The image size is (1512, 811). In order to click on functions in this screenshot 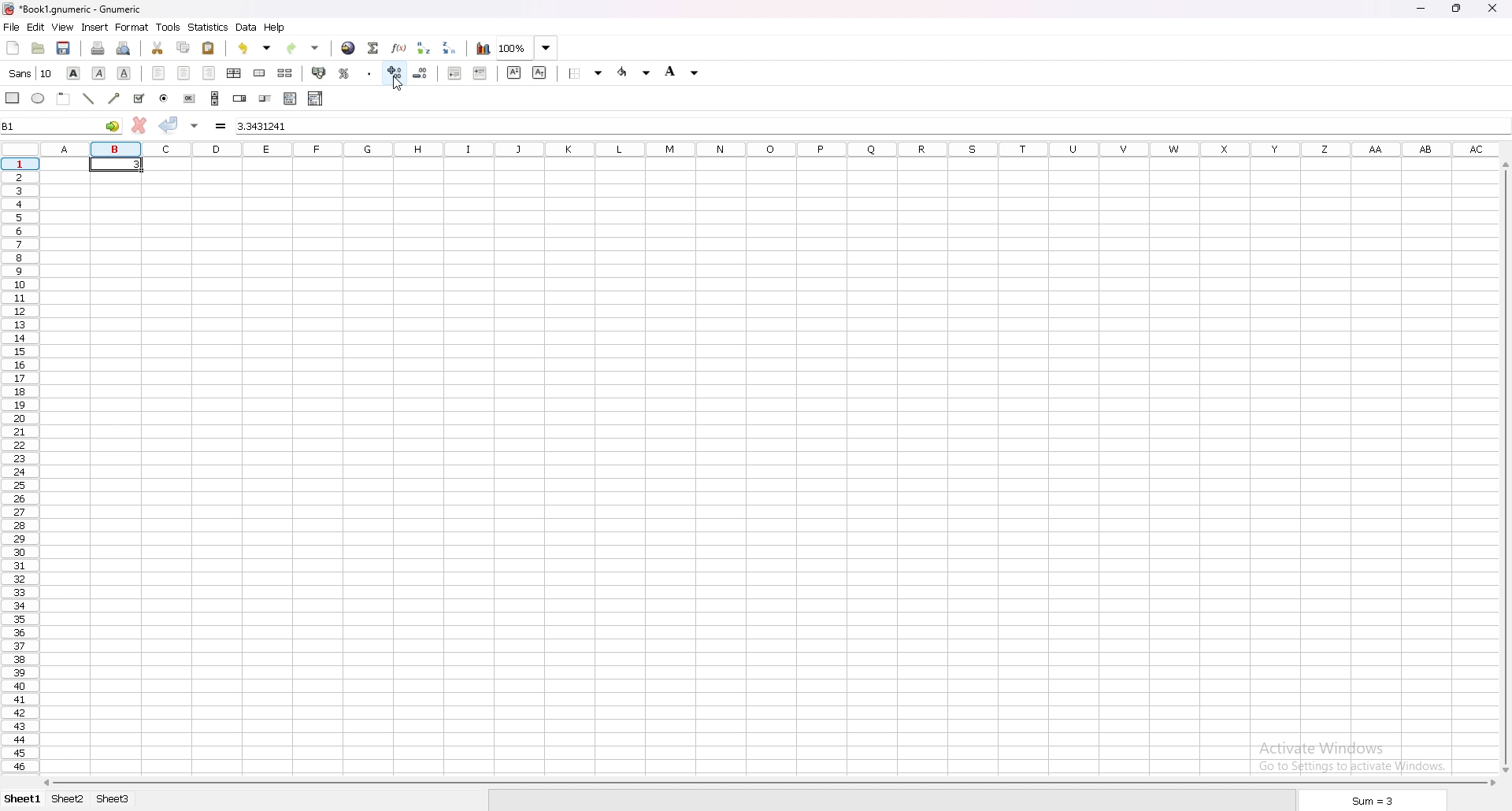, I will do `click(399, 48)`.